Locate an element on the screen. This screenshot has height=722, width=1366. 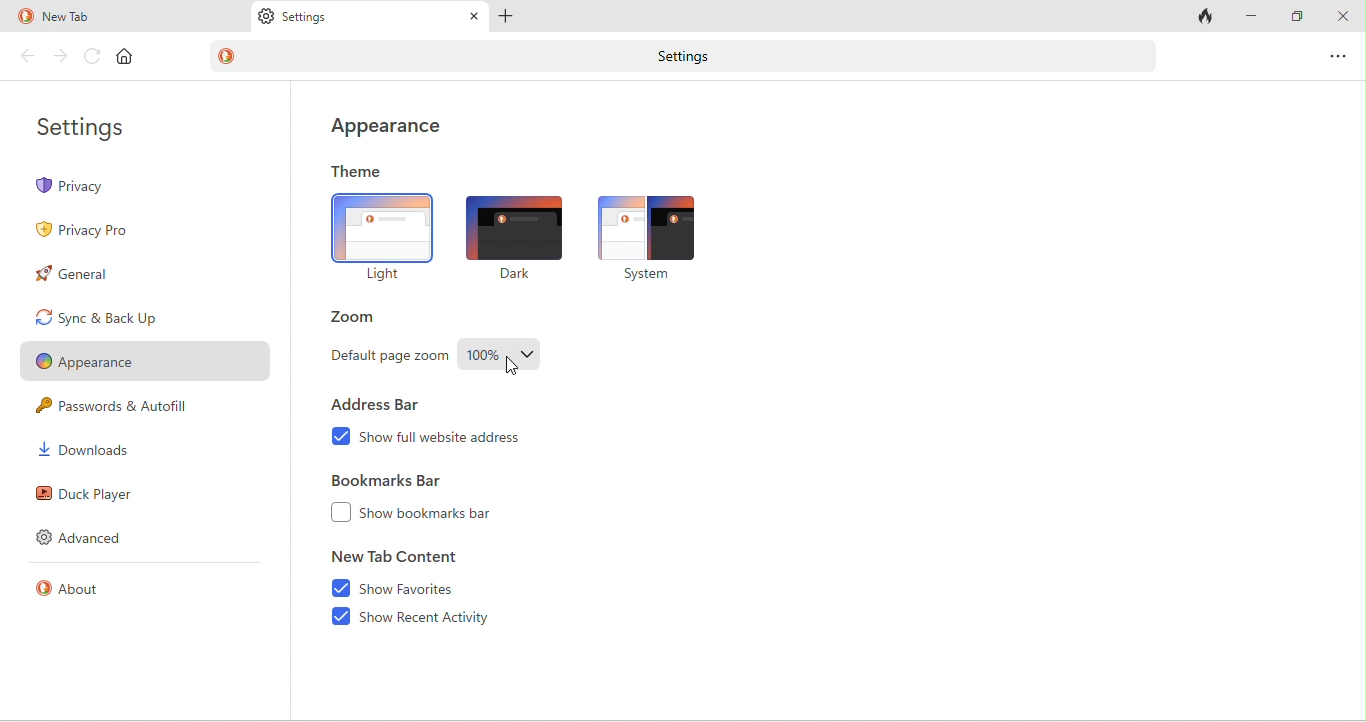
enable checkbox is located at coordinates (336, 588).